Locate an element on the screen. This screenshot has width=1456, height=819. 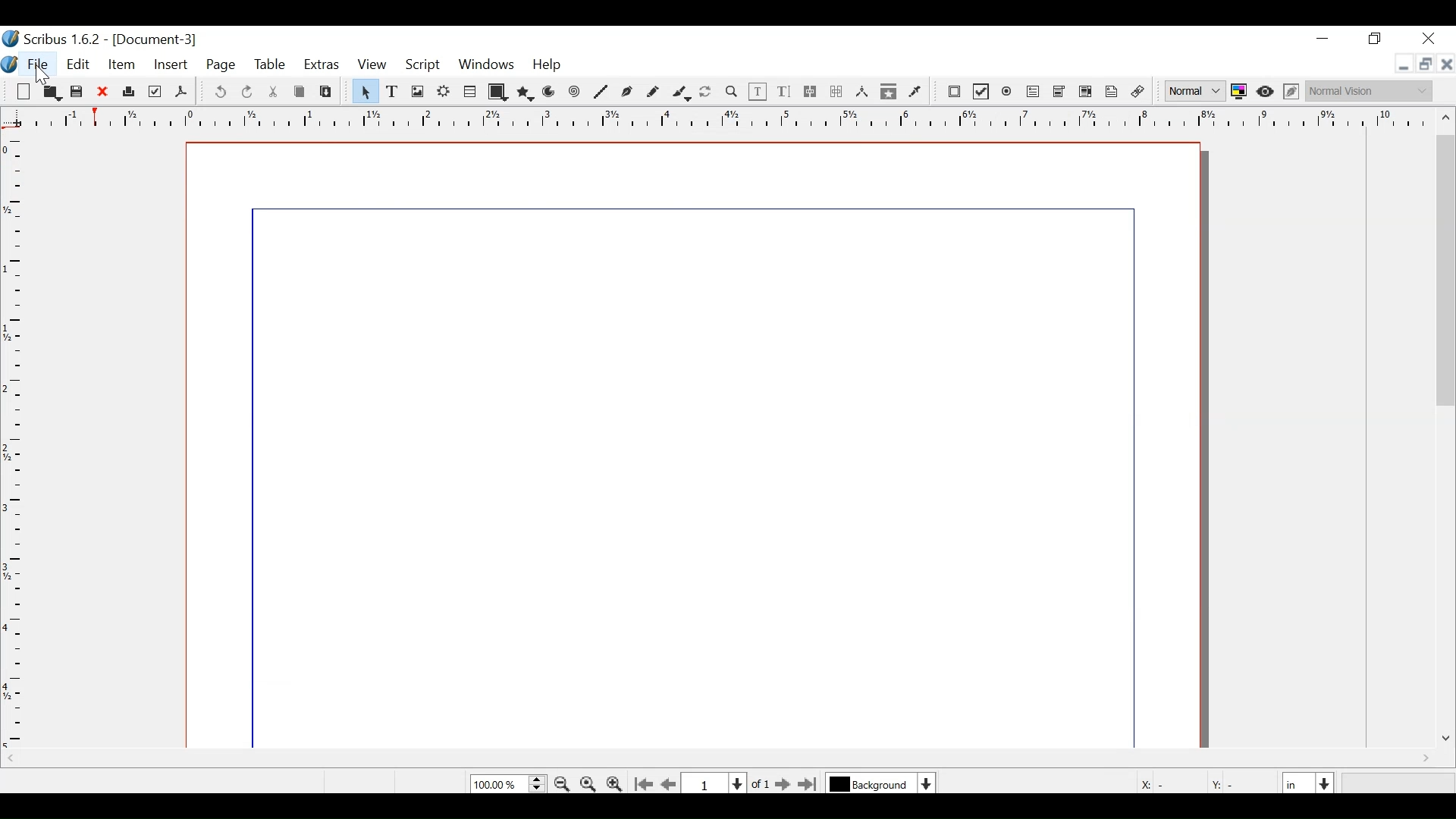
Item is located at coordinates (121, 67).